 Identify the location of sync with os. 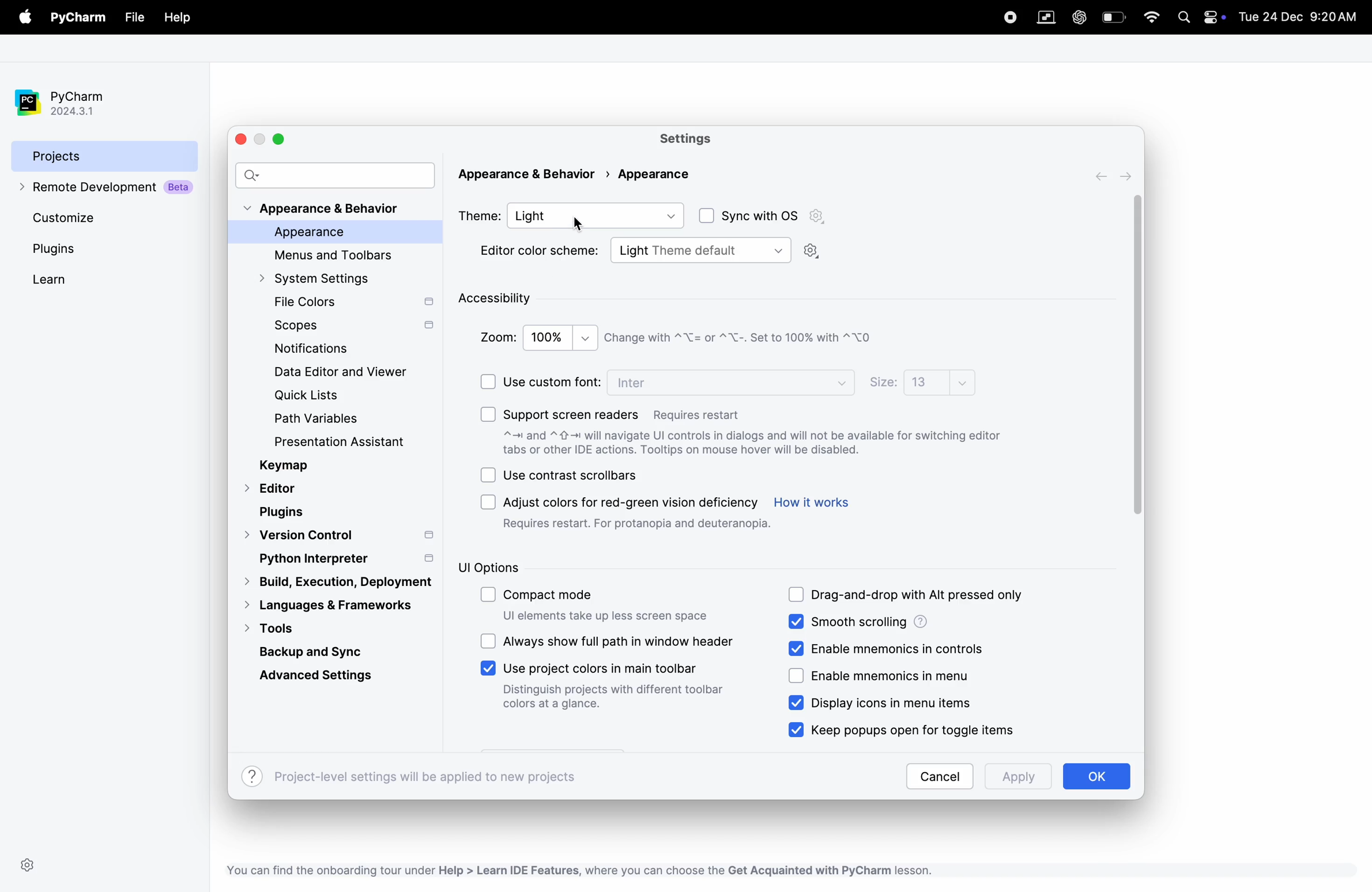
(775, 216).